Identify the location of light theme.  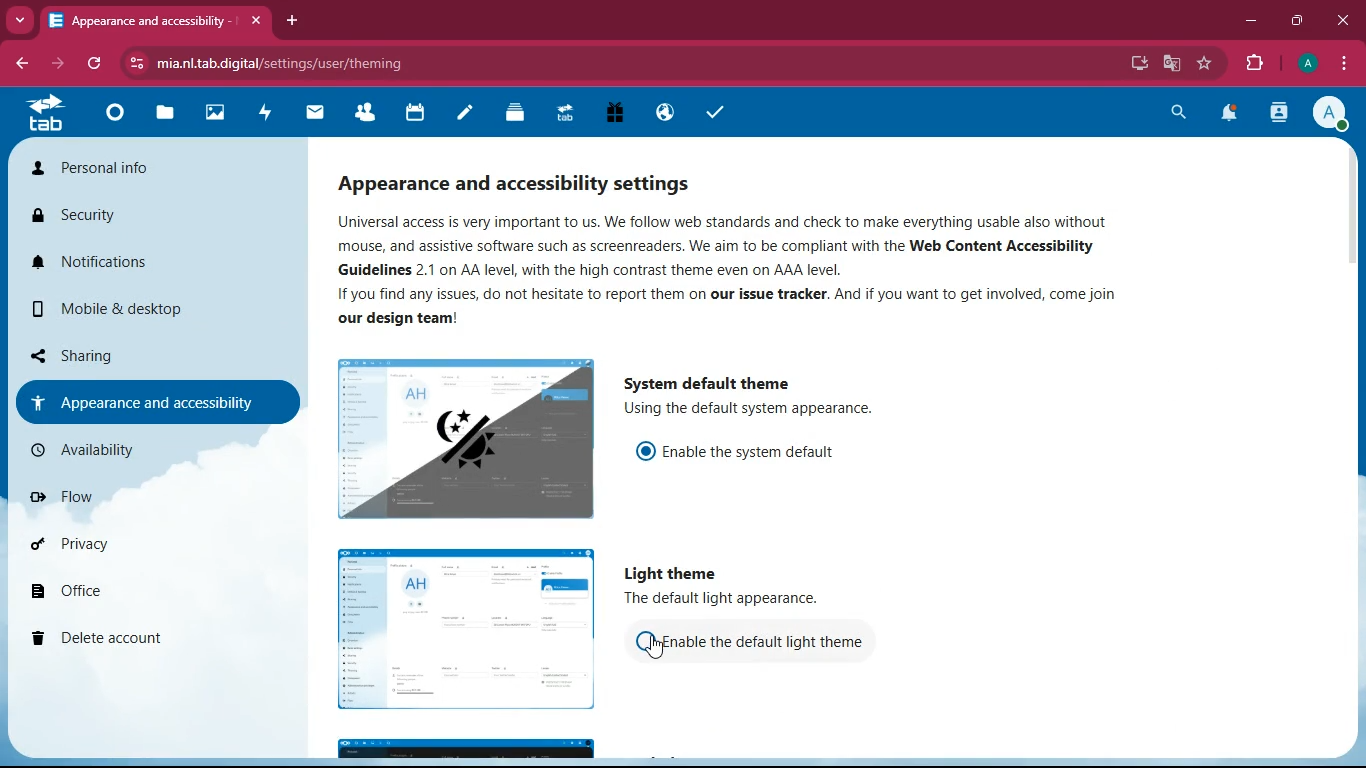
(675, 573).